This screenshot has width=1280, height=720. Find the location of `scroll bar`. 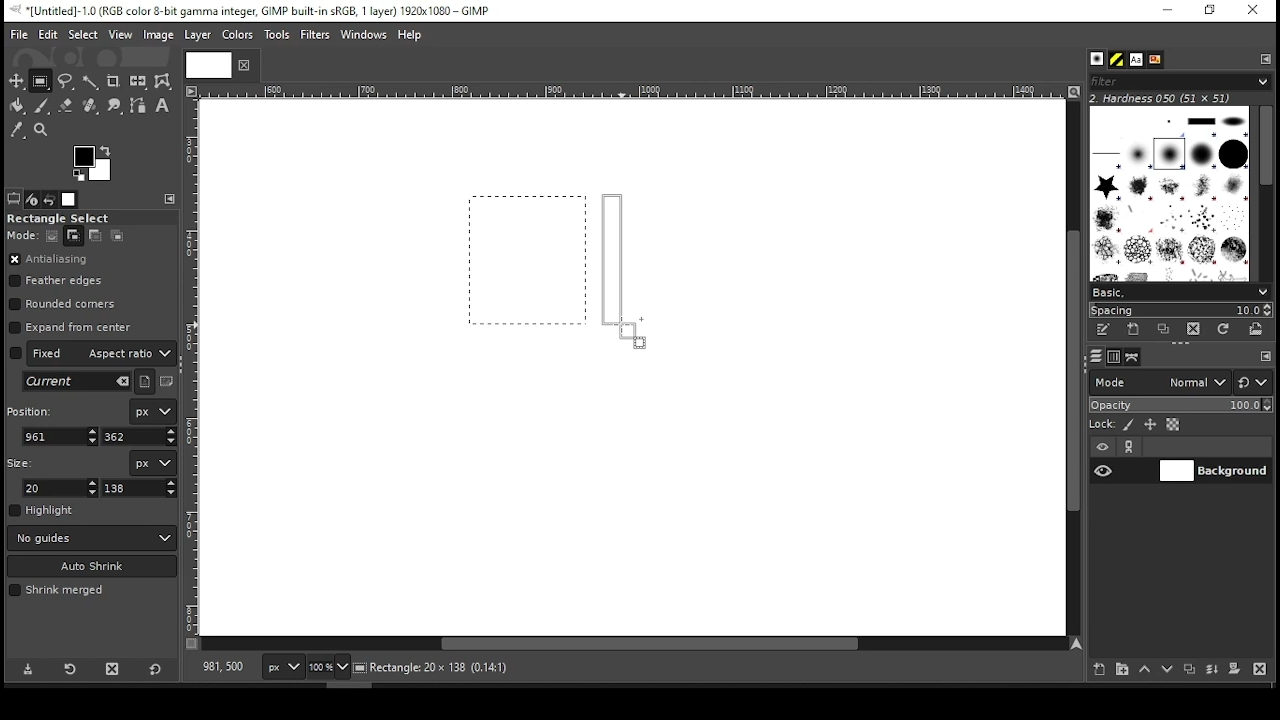

scroll bar is located at coordinates (1071, 367).